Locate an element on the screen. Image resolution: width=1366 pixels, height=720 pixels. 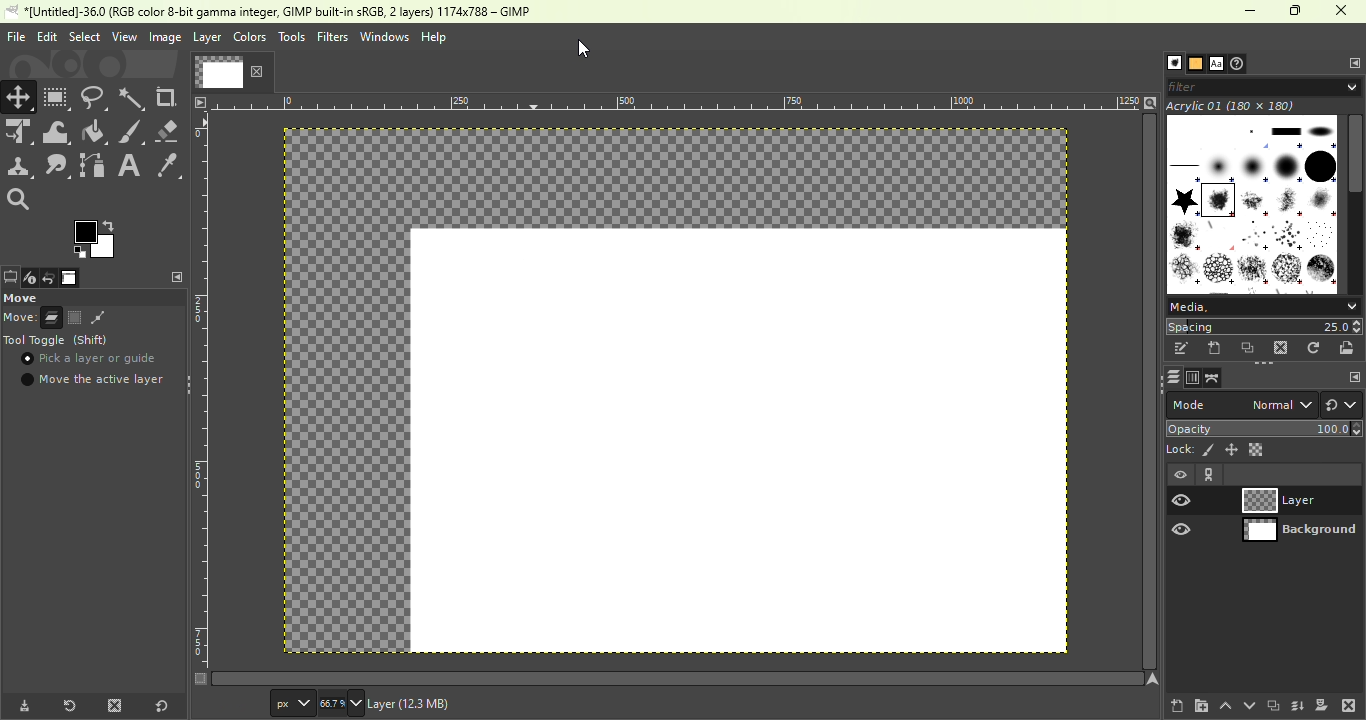
Filters is located at coordinates (332, 37).